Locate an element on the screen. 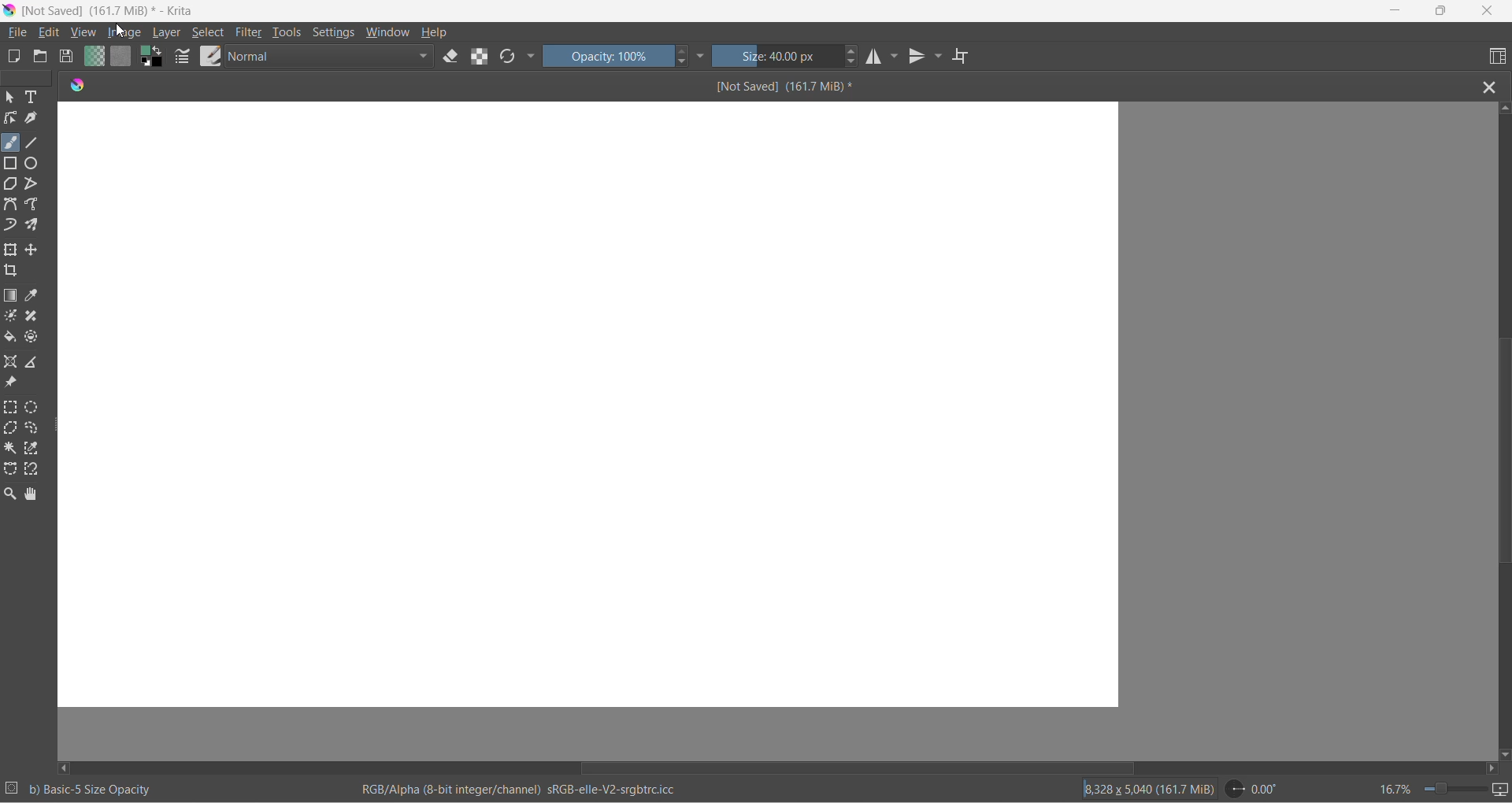 Image resolution: width=1512 pixels, height=803 pixels. decrement opacity is located at coordinates (684, 65).